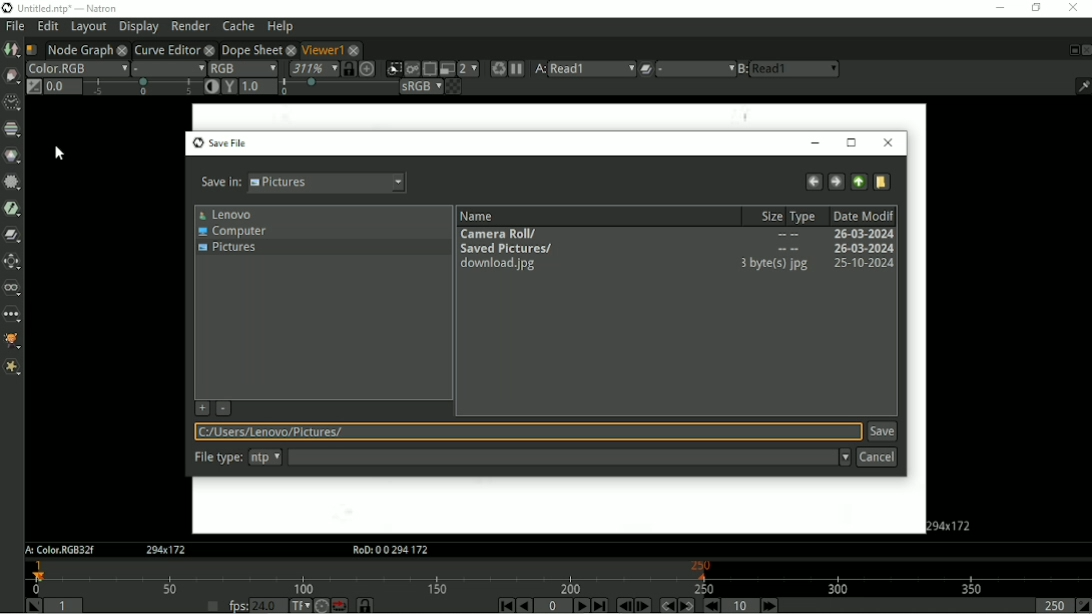 The height and width of the screenshot is (614, 1092). What do you see at coordinates (364, 606) in the screenshot?
I see `Timeline frame range` at bounding box center [364, 606].